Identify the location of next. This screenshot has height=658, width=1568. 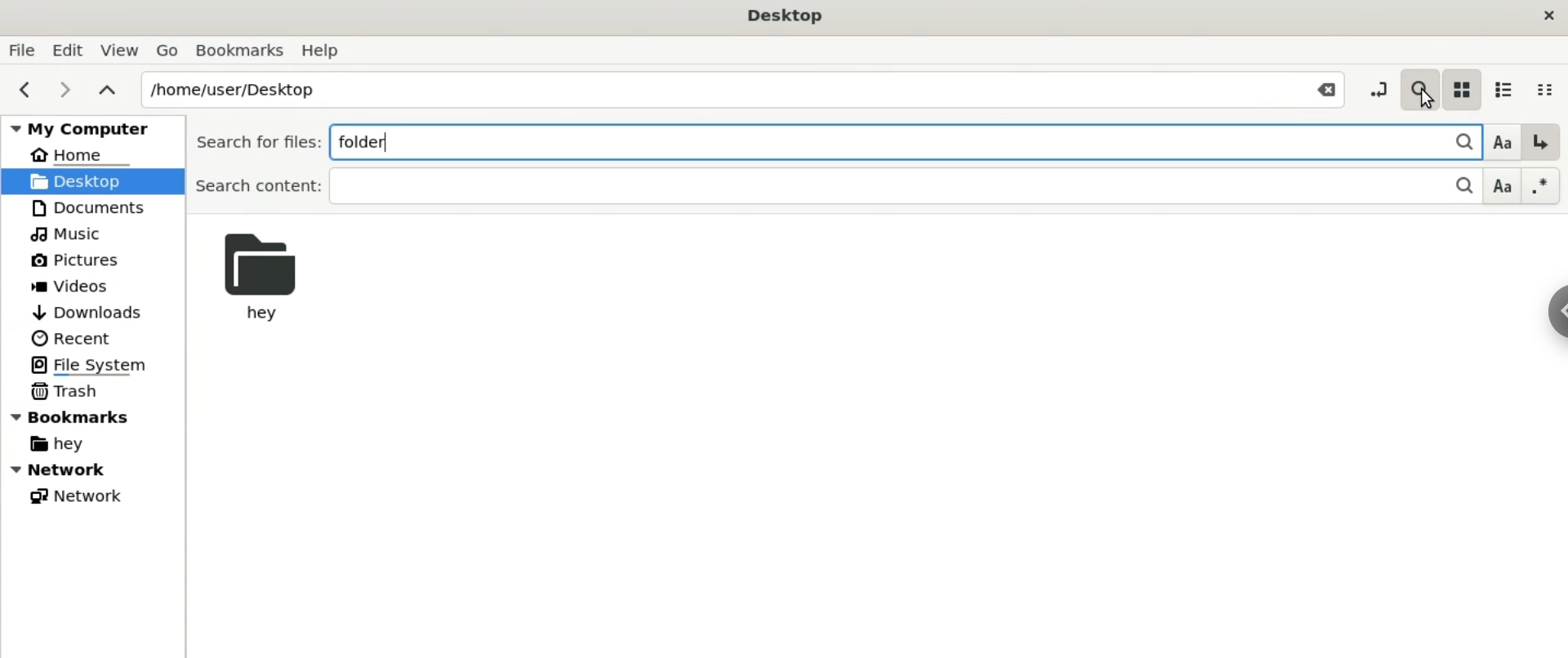
(64, 89).